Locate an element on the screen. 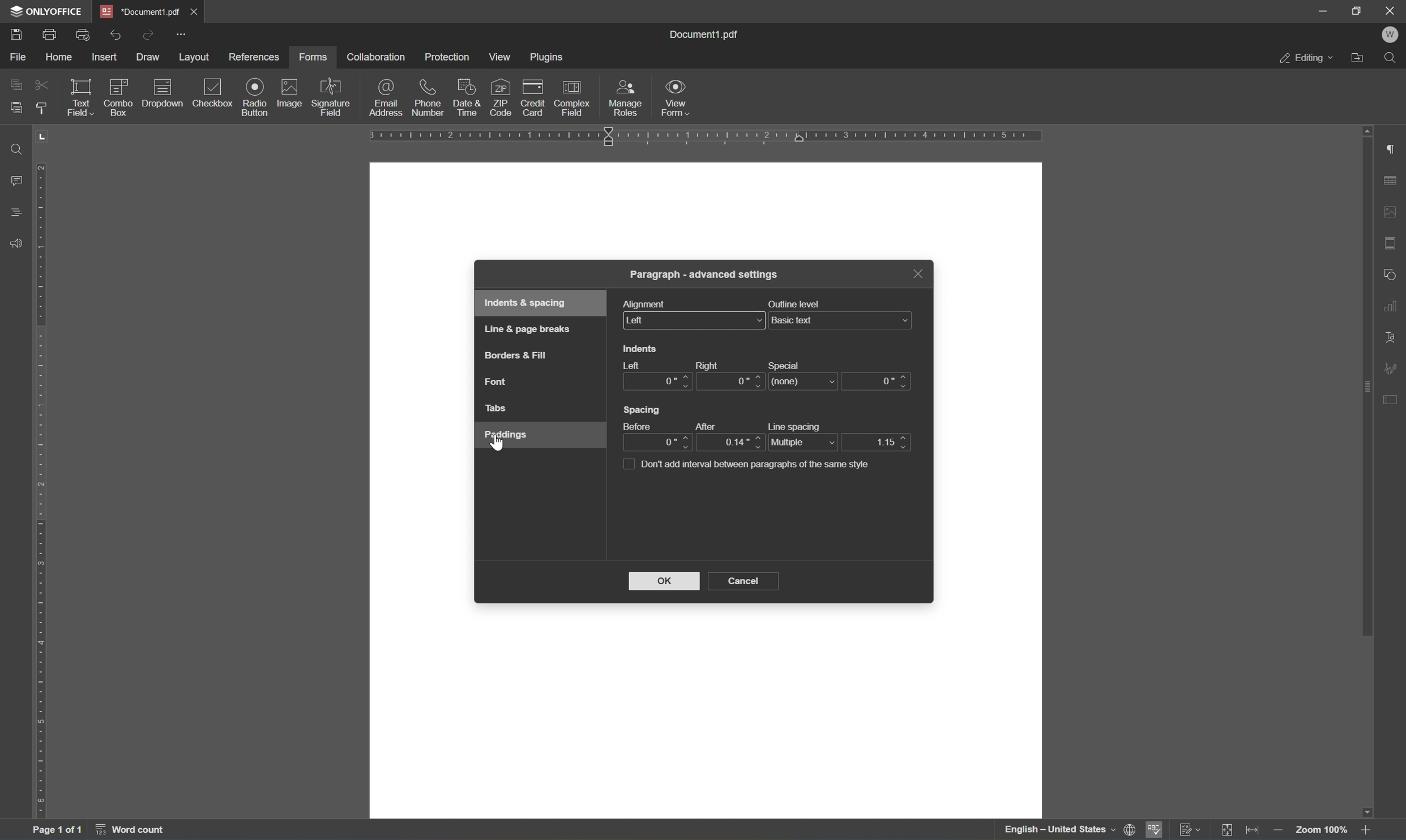 The image size is (1406, 840). phone number is located at coordinates (426, 98).